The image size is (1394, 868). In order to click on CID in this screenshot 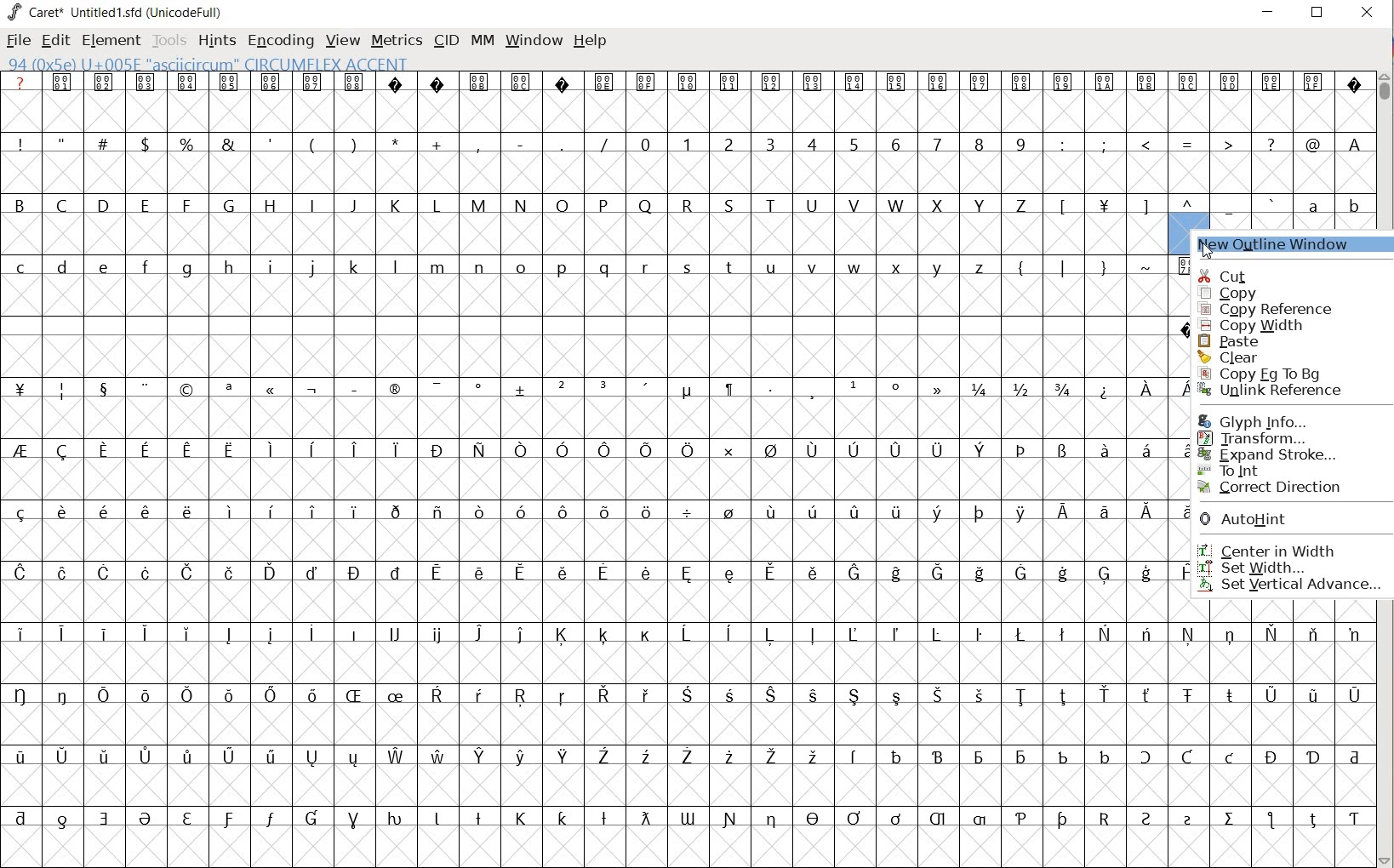, I will do `click(445, 40)`.